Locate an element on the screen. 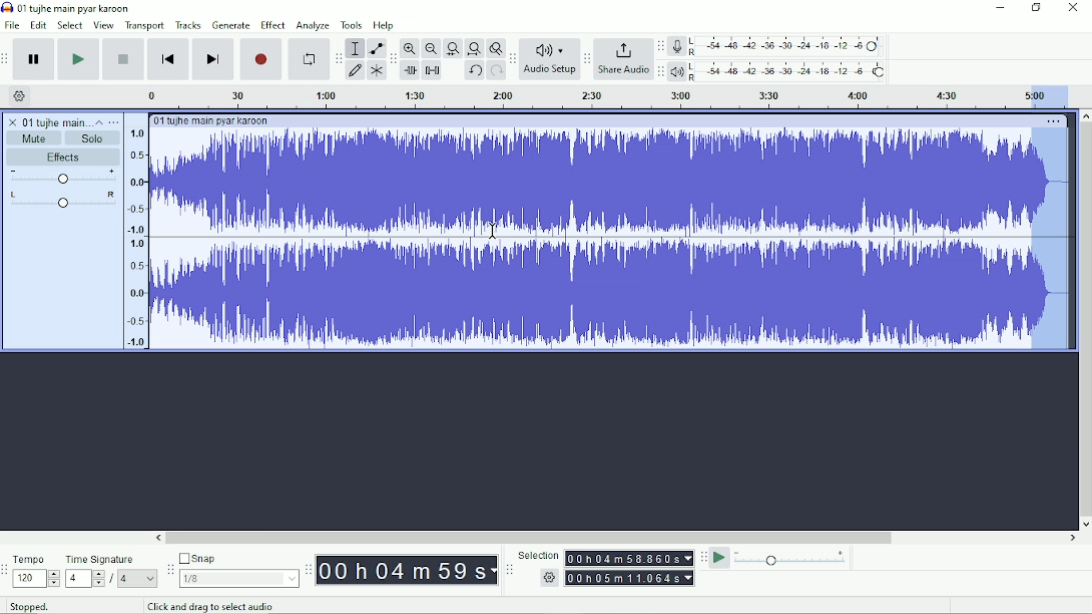  Record is located at coordinates (262, 60).